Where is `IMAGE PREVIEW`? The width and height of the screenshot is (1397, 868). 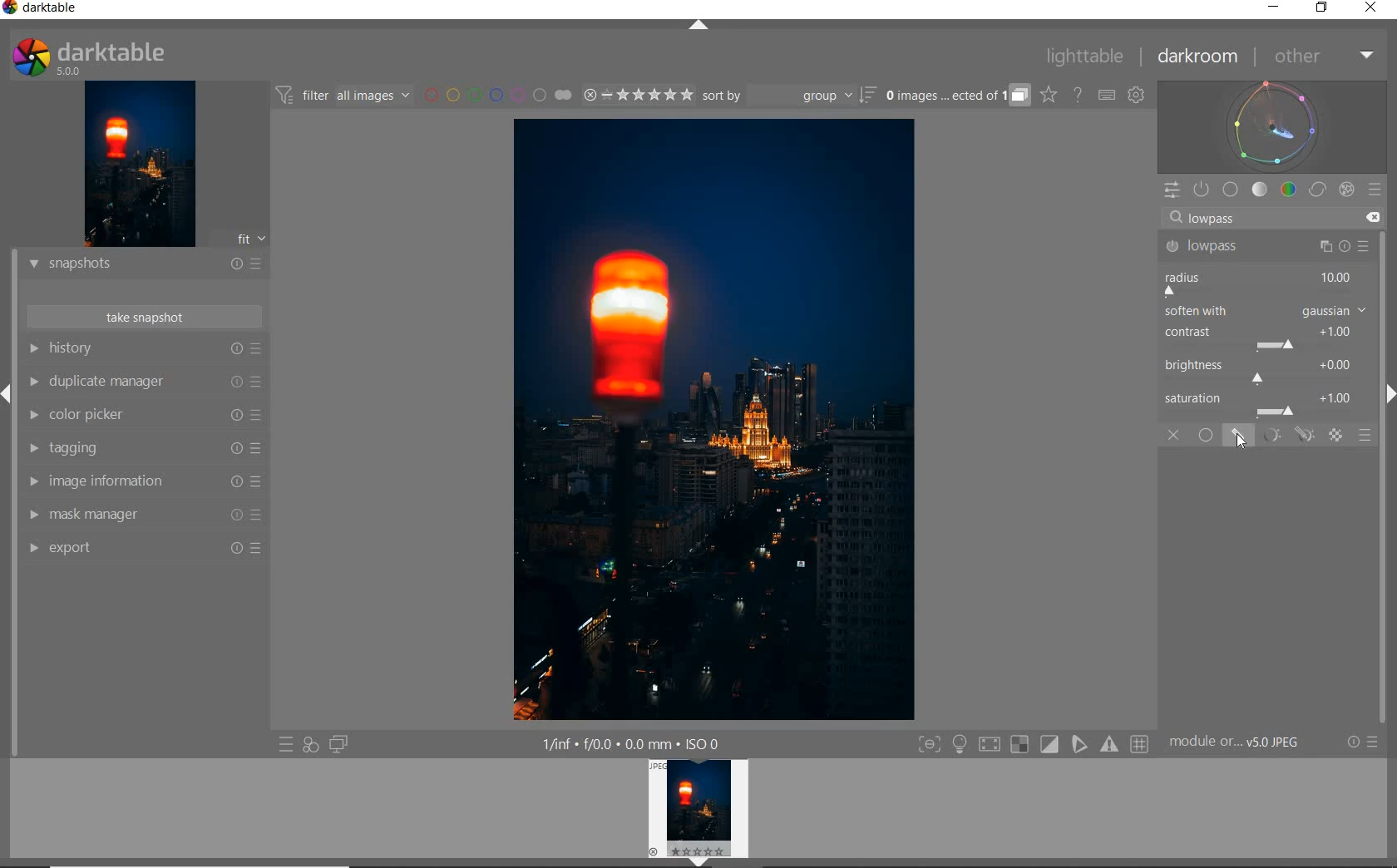 IMAGE PREVIEW is located at coordinates (140, 163).